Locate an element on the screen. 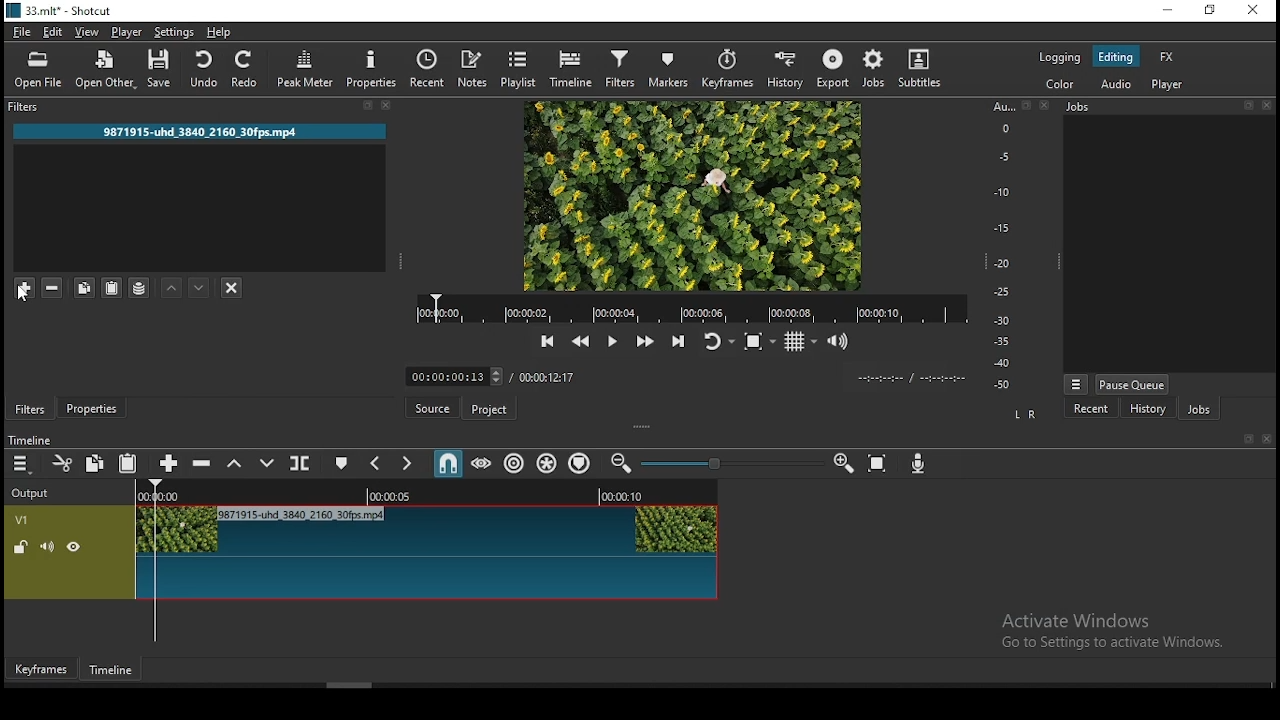 This screenshot has height=720, width=1280. previous marker is located at coordinates (376, 463).